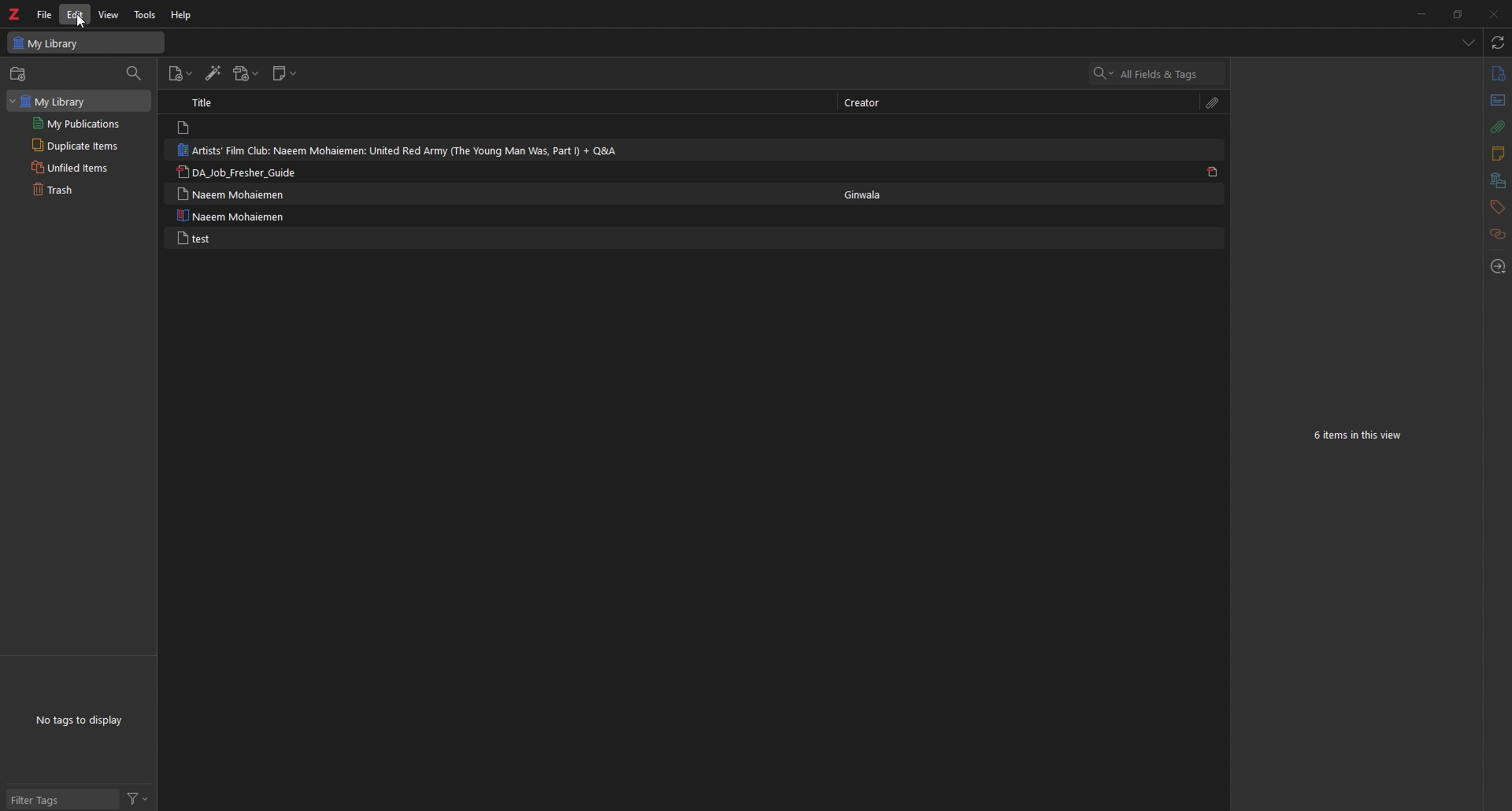 This screenshot has height=811, width=1512. What do you see at coordinates (146, 14) in the screenshot?
I see `tools` at bounding box center [146, 14].